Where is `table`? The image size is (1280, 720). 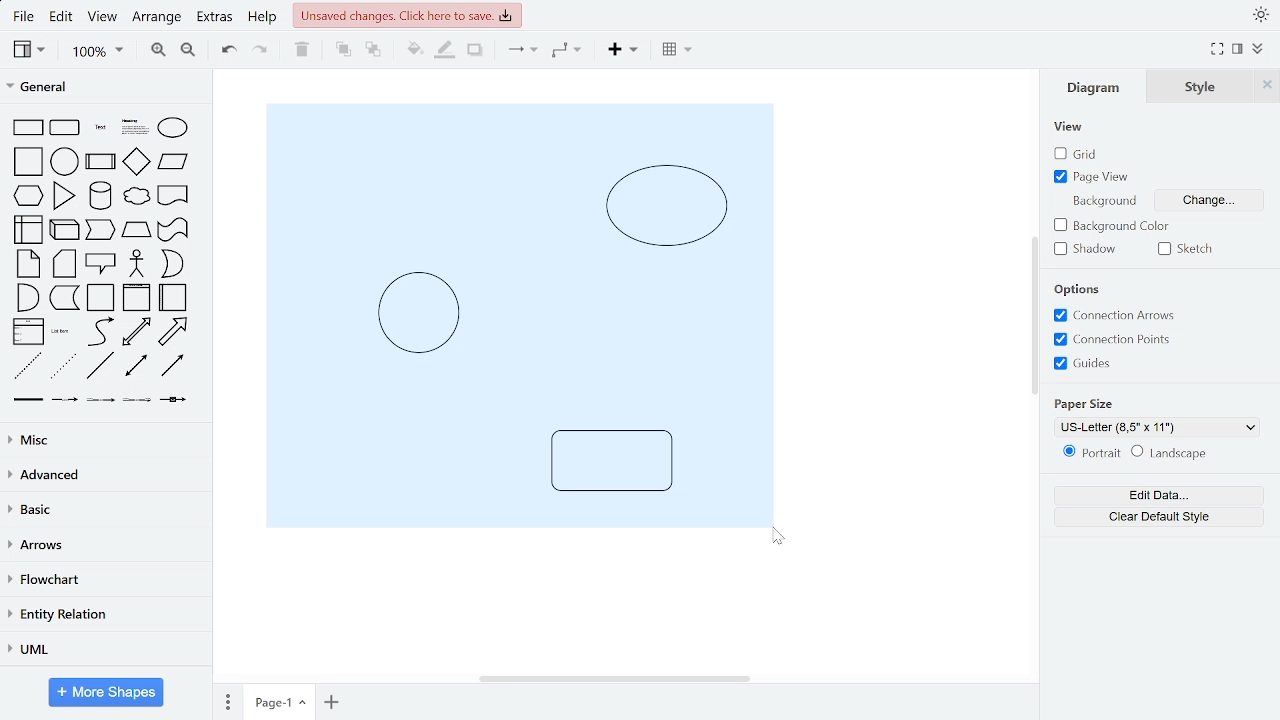 table is located at coordinates (674, 51).